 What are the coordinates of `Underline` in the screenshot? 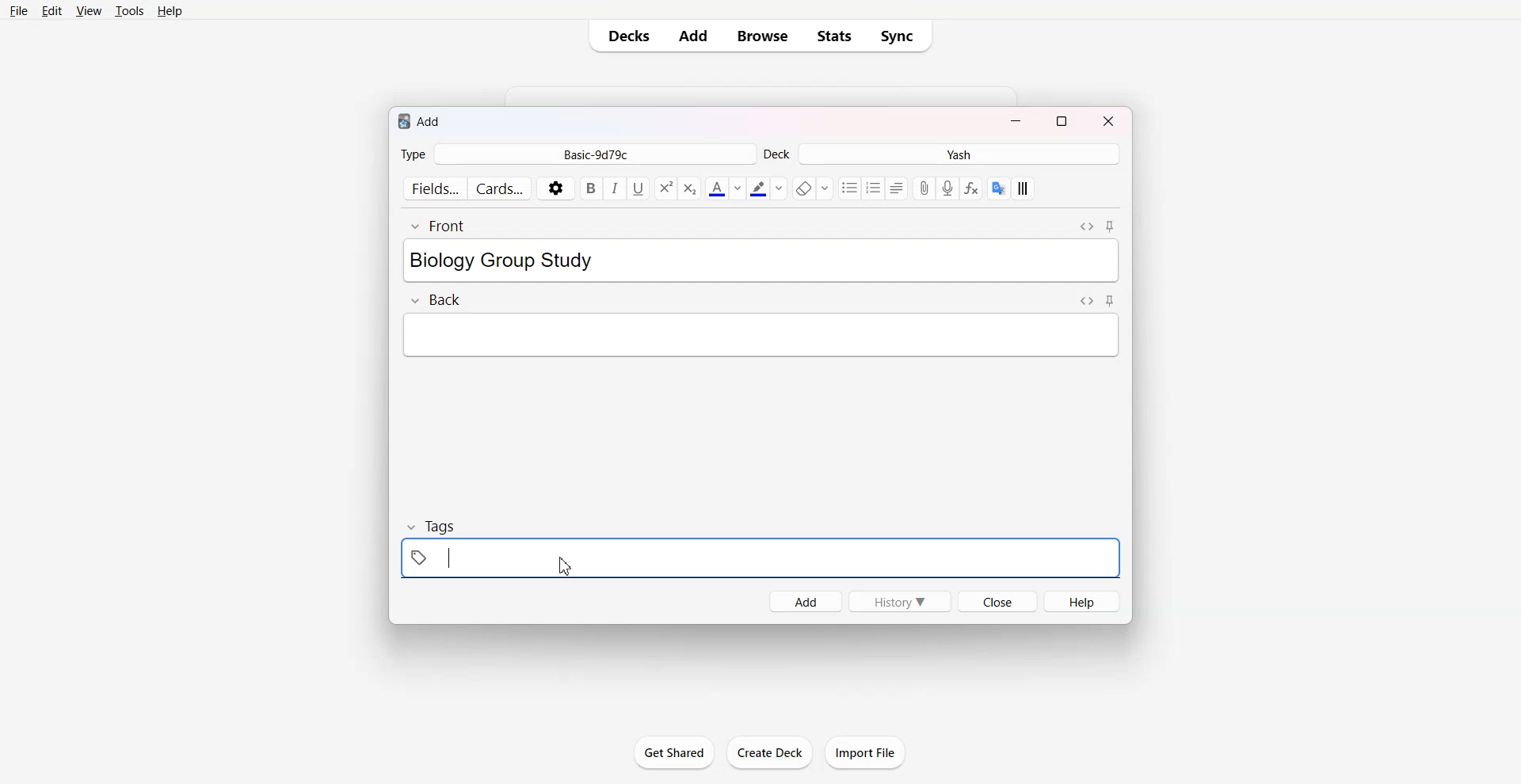 It's located at (639, 189).